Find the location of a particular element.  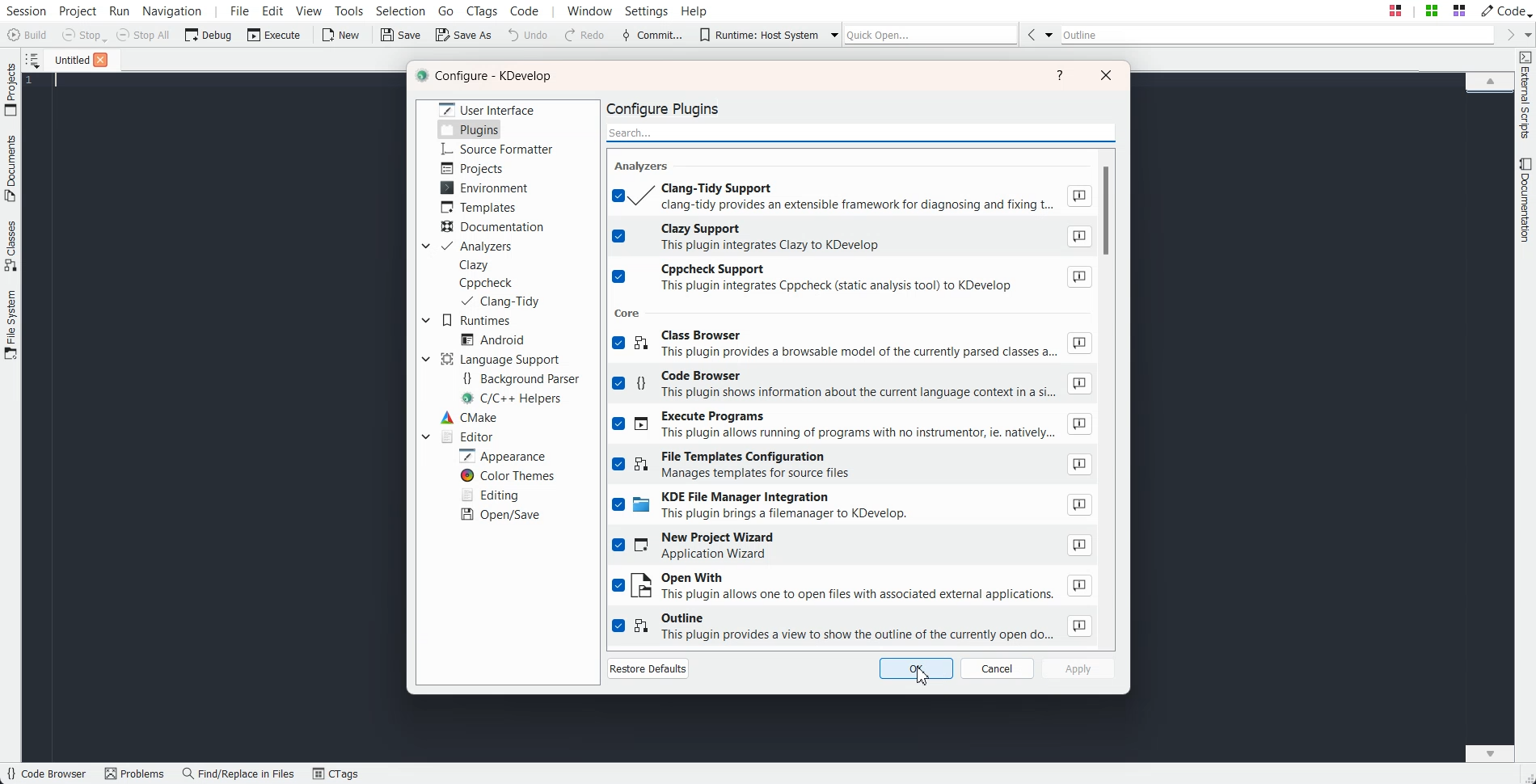

Cppcheck is located at coordinates (488, 283).